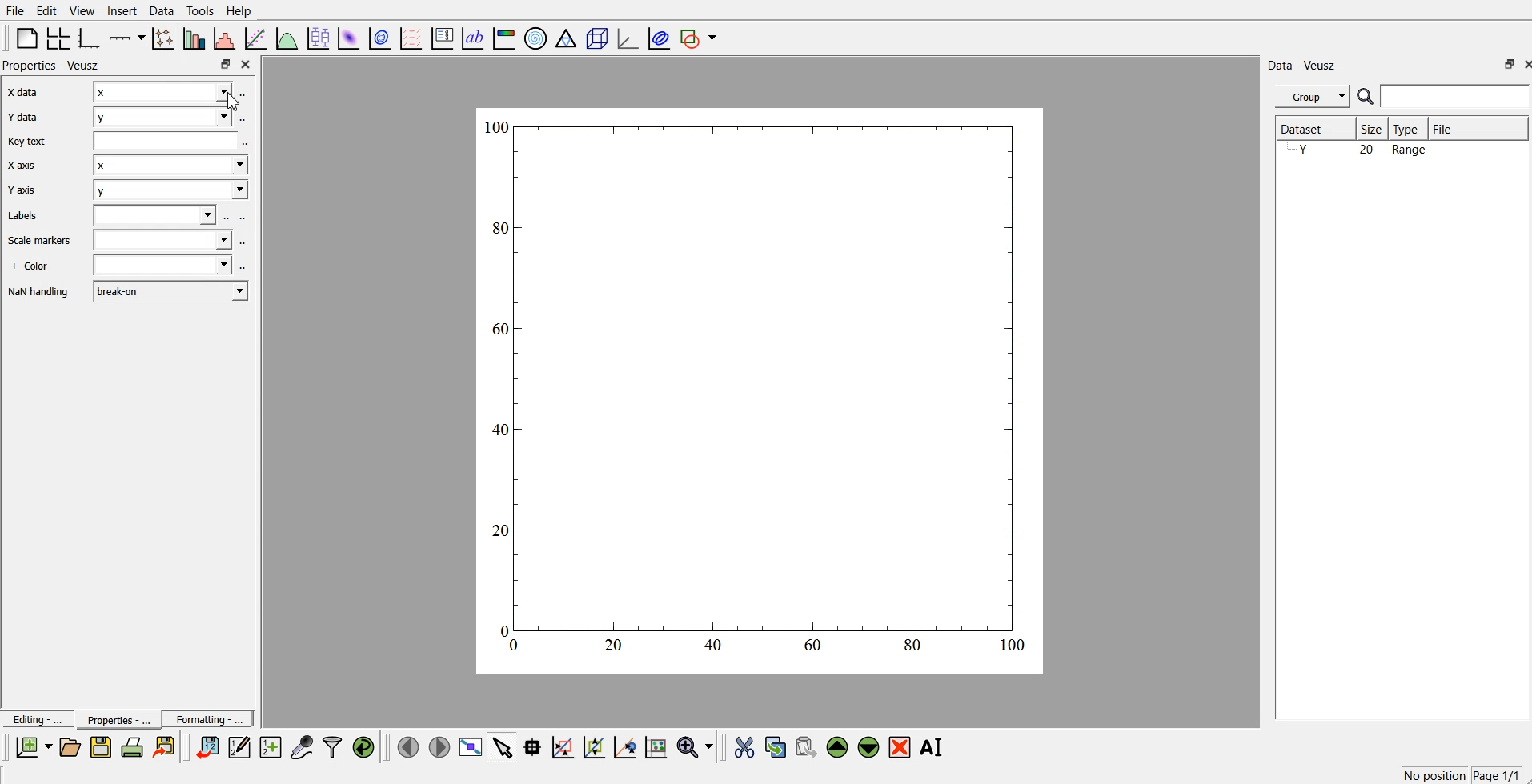 This screenshot has height=784, width=1532. Describe the element at coordinates (26, 143) in the screenshot. I see `| Key text` at that location.